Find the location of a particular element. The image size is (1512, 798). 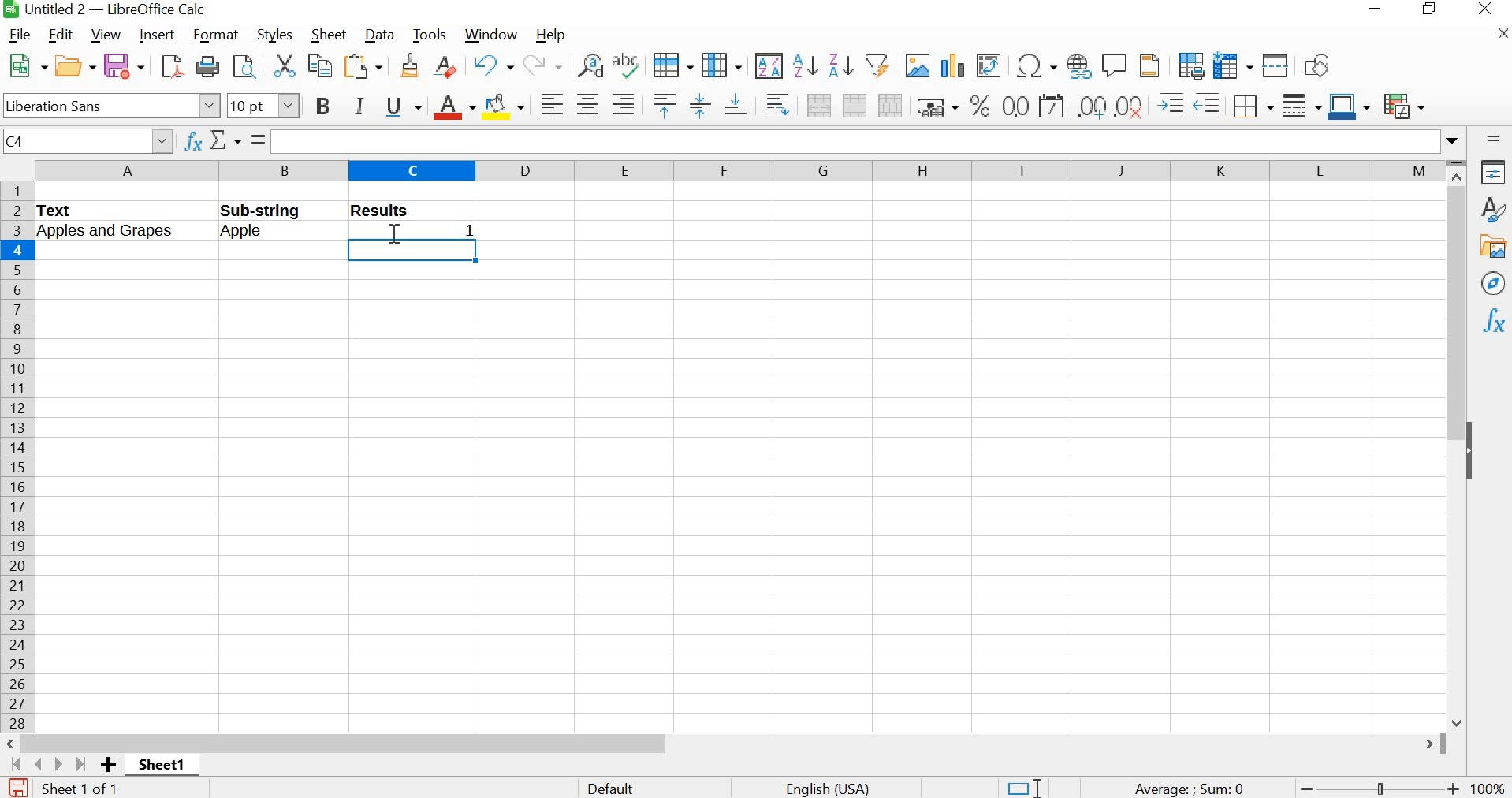

split window is located at coordinates (1276, 65).